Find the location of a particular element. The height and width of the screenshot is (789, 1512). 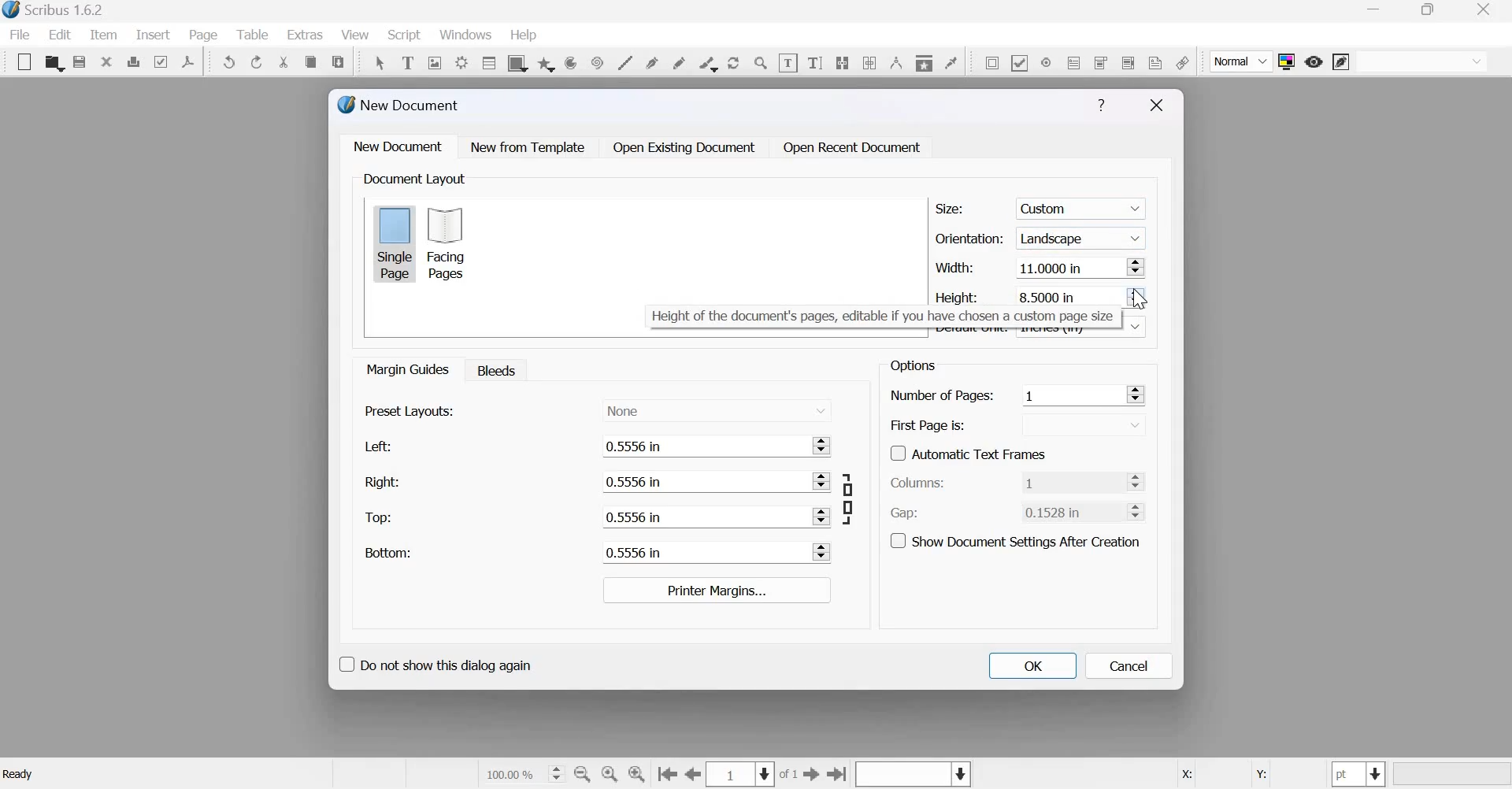

preview mode is located at coordinates (1314, 61).